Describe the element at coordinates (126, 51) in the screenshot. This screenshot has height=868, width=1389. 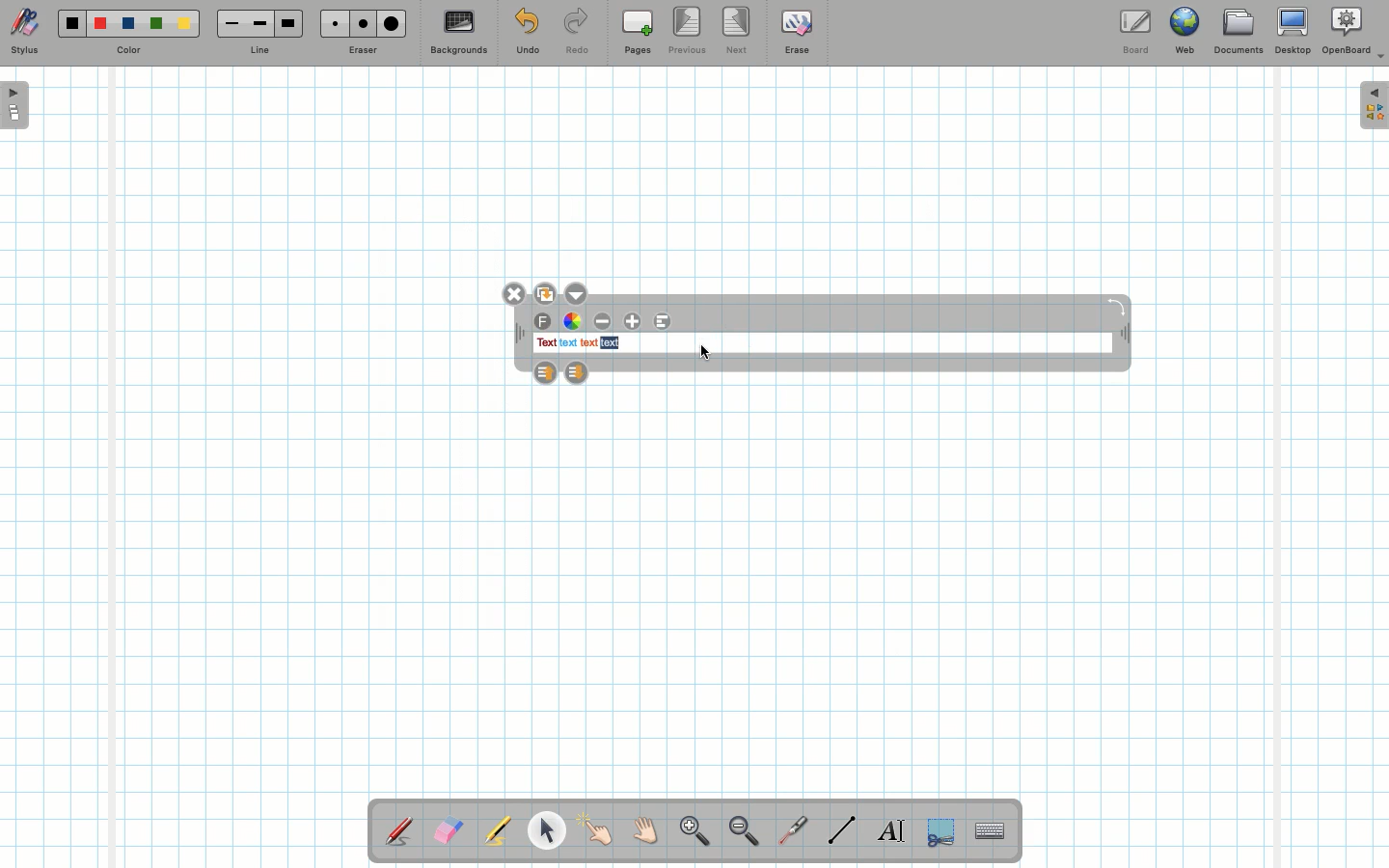
I see `Color` at that location.